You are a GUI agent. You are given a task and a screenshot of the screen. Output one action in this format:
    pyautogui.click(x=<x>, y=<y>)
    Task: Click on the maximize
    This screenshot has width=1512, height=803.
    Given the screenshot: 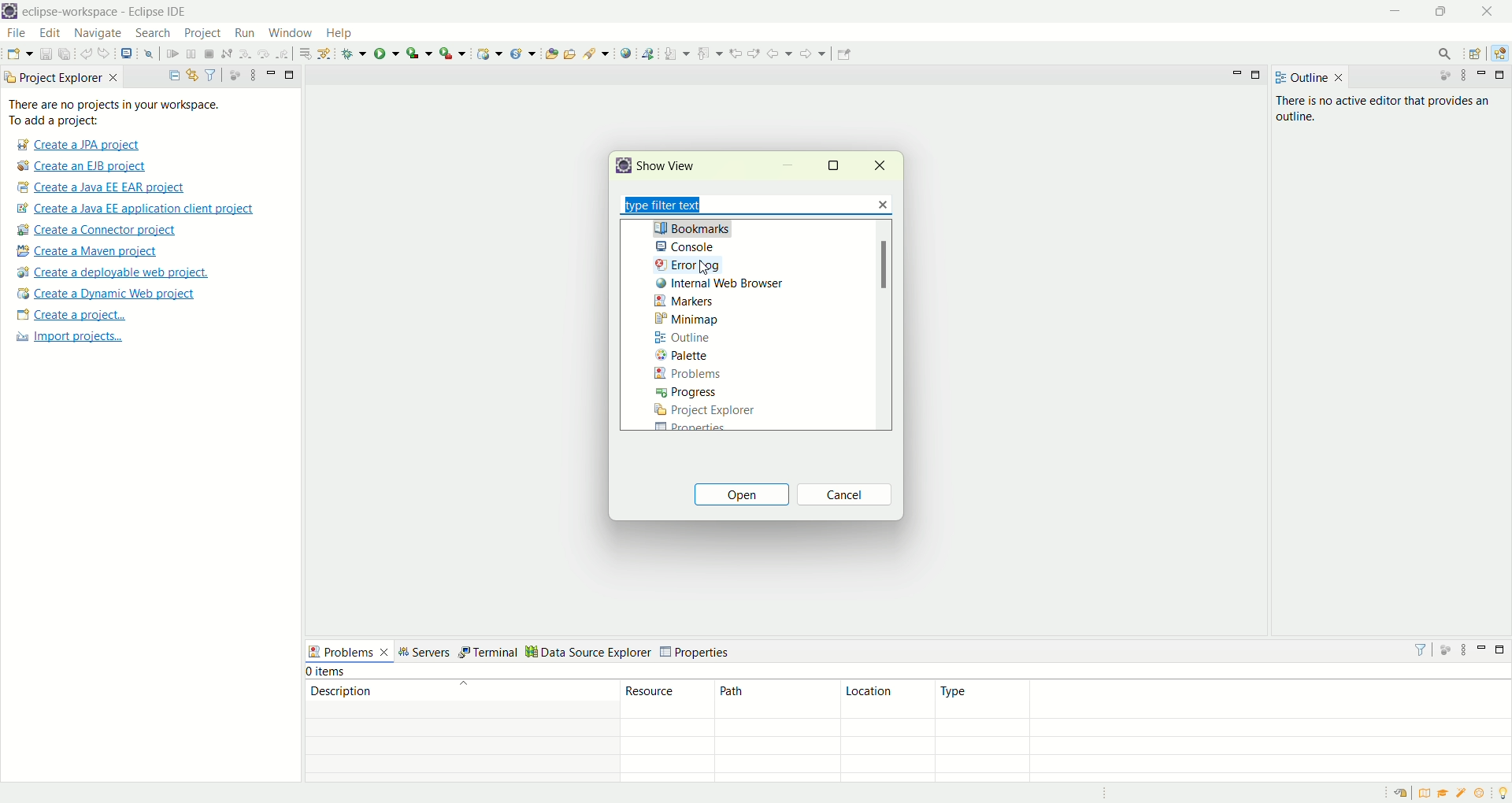 What is the action you would take?
    pyautogui.click(x=1258, y=75)
    